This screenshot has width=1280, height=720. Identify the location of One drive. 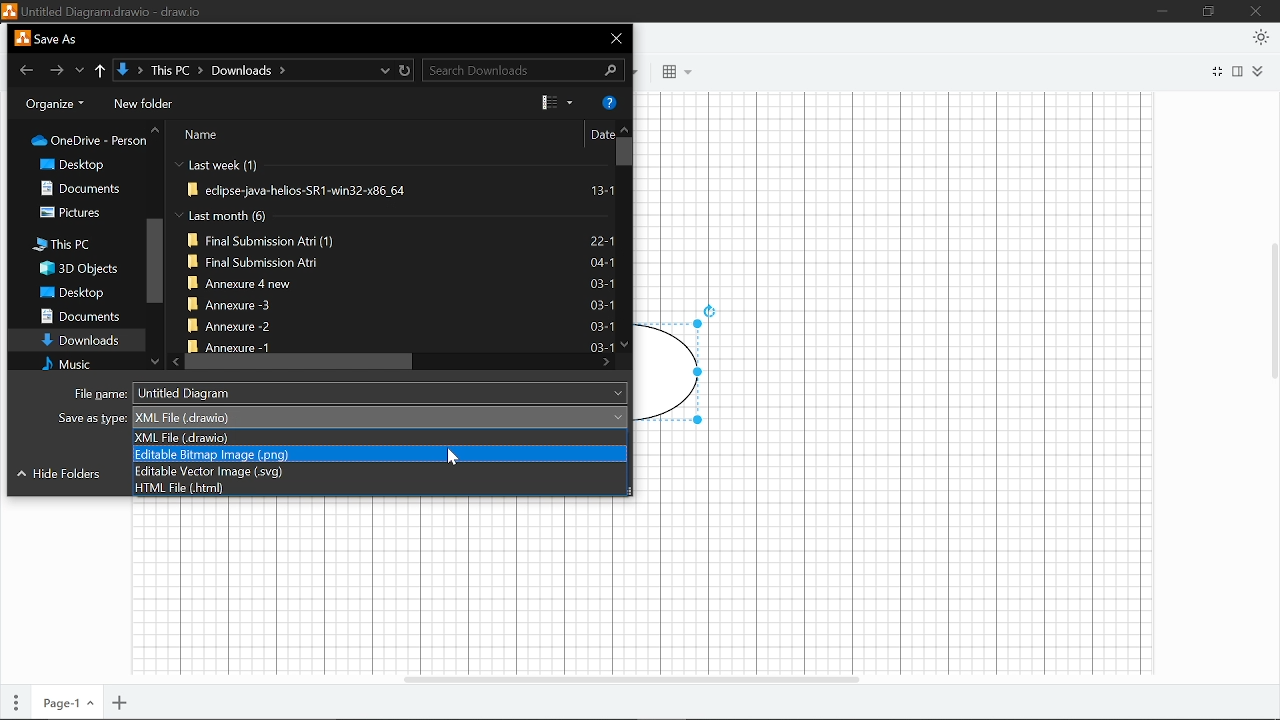
(91, 144).